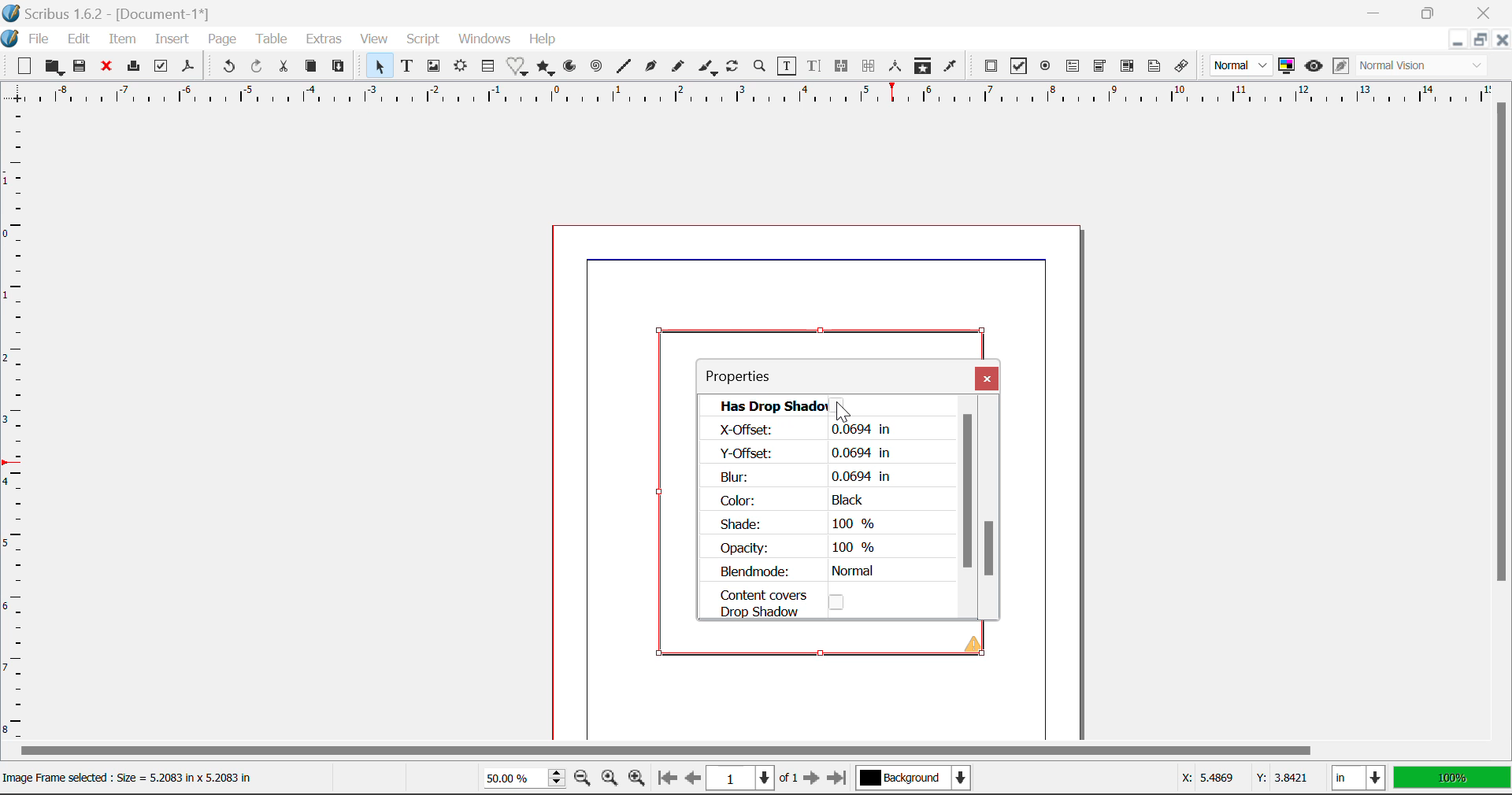 The image size is (1512, 795). Describe the element at coordinates (109, 68) in the screenshot. I see `Discard` at that location.